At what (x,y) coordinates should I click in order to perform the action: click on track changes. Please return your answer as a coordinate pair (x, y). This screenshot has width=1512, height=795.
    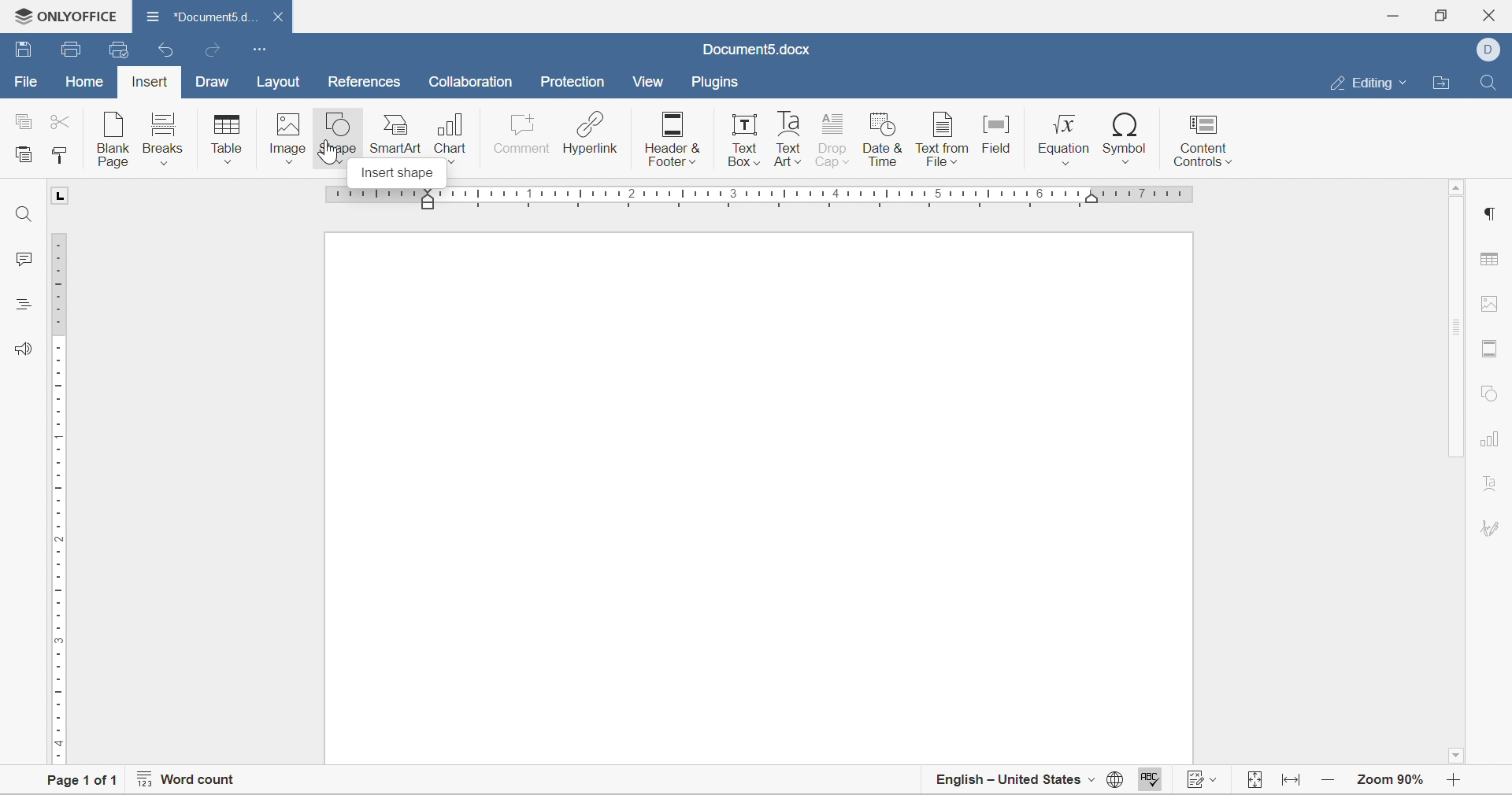
    Looking at the image, I should click on (1199, 782).